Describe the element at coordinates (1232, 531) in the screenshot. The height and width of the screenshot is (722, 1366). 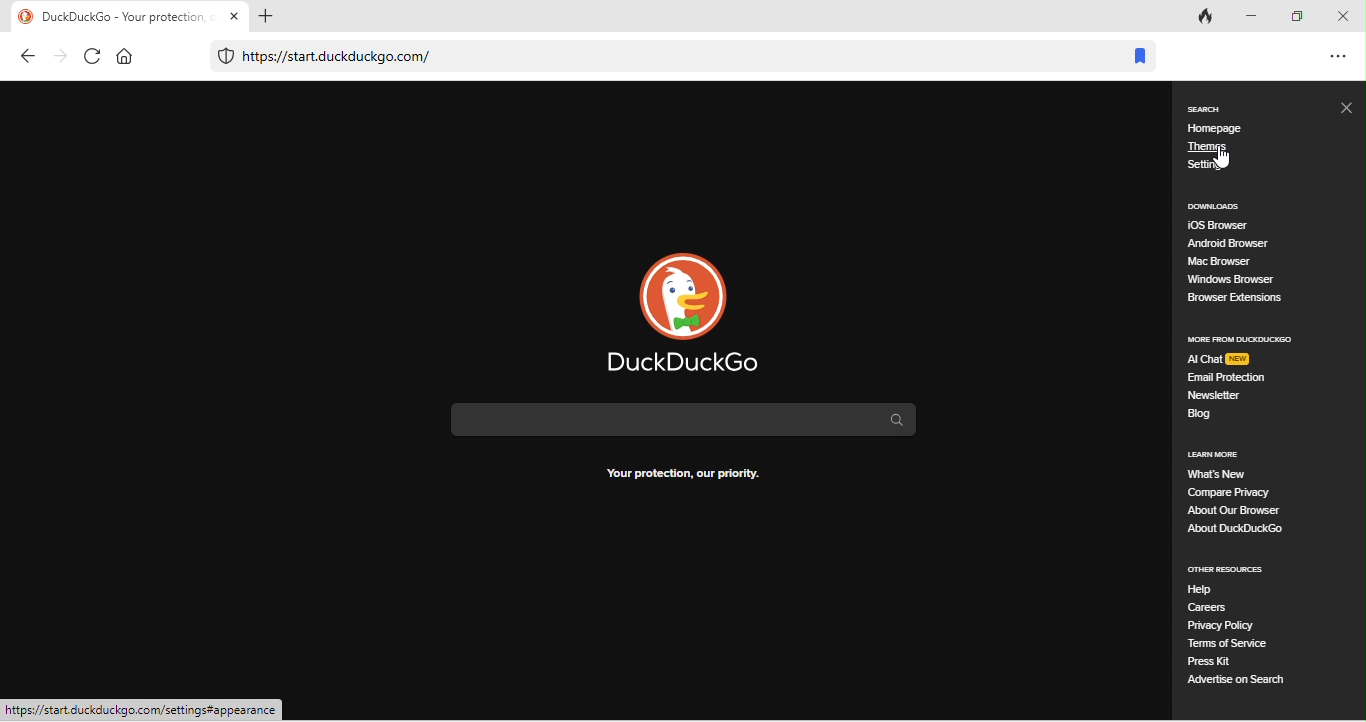
I see `about duck duck go` at that location.